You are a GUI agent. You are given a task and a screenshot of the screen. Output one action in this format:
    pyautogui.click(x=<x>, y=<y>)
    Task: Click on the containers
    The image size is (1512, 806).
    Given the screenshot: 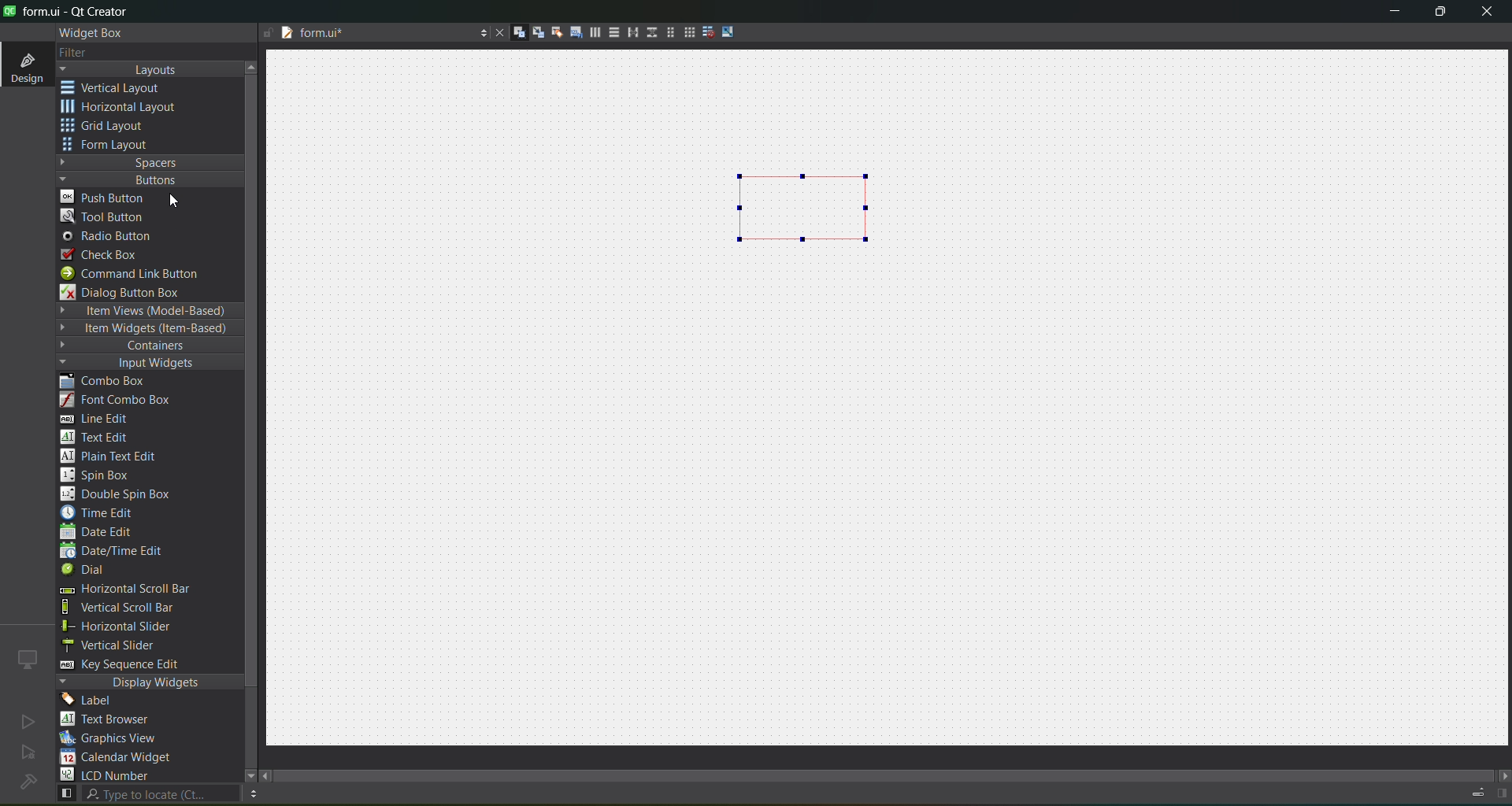 What is the action you would take?
    pyautogui.click(x=142, y=346)
    